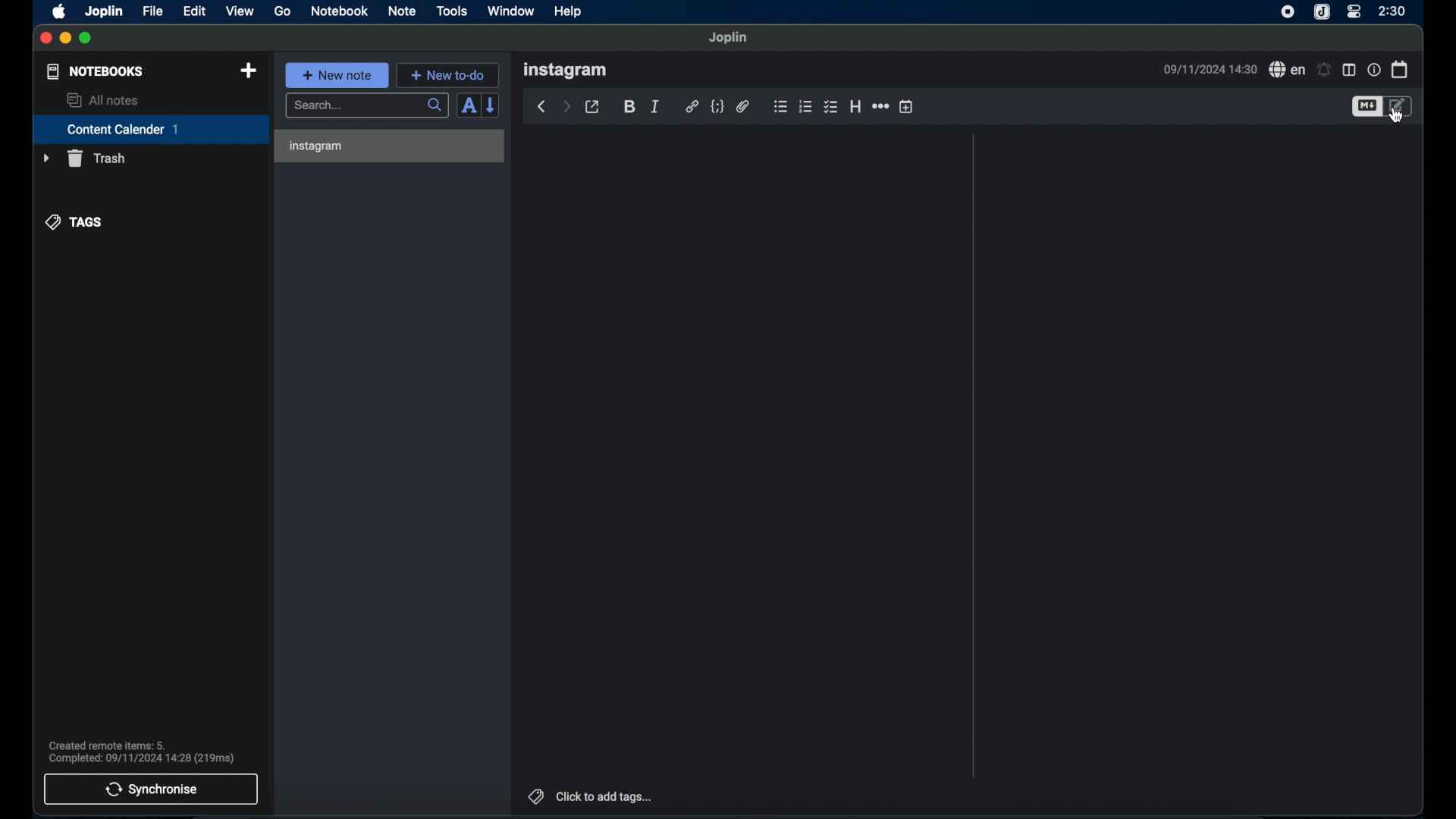 This screenshot has width=1456, height=819. What do you see at coordinates (566, 105) in the screenshot?
I see `forward` at bounding box center [566, 105].